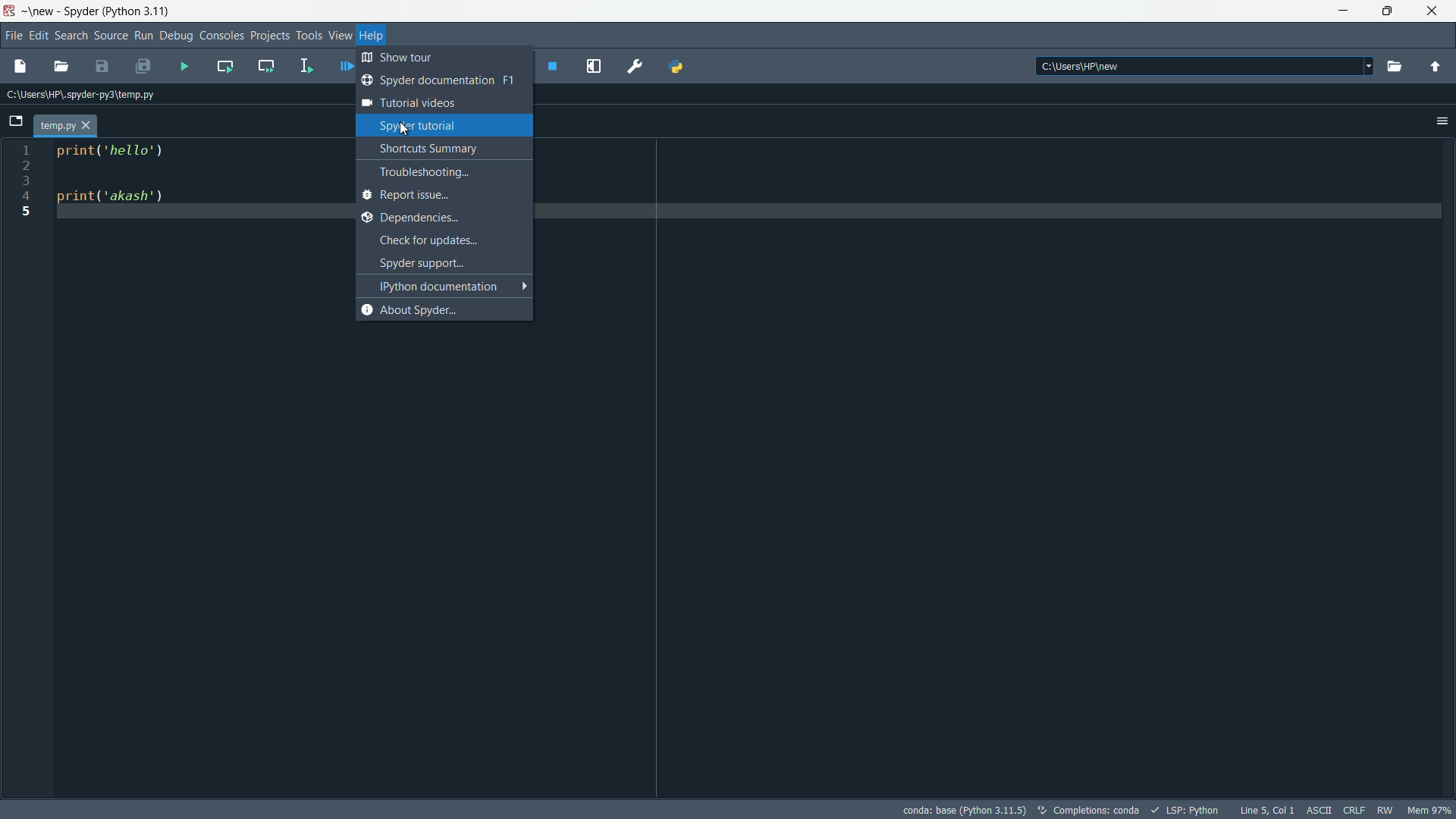 Image resolution: width=1456 pixels, height=819 pixels. What do you see at coordinates (444, 147) in the screenshot?
I see `shortcuts summary` at bounding box center [444, 147].